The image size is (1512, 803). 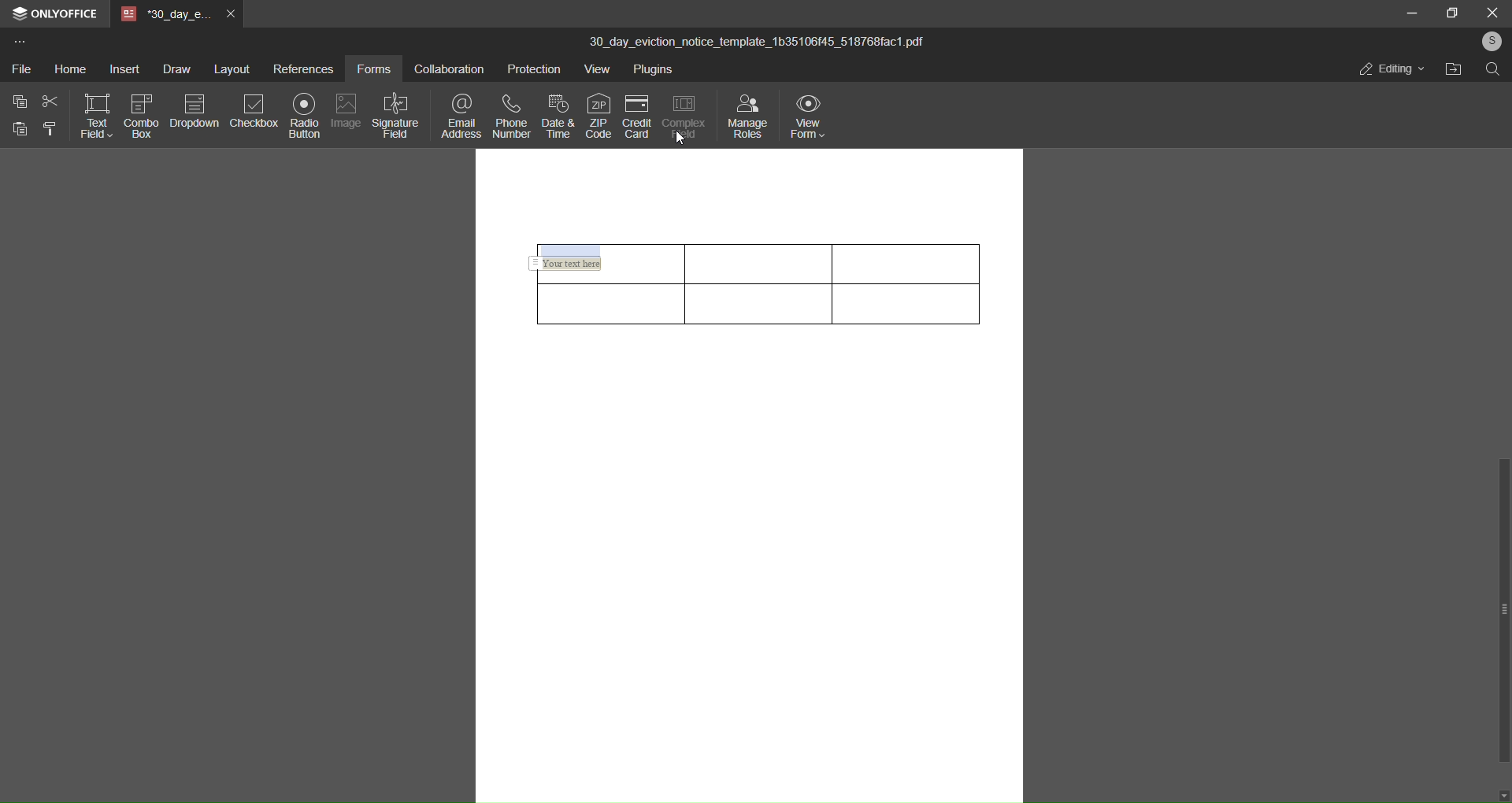 I want to click on phone number, so click(x=512, y=114).